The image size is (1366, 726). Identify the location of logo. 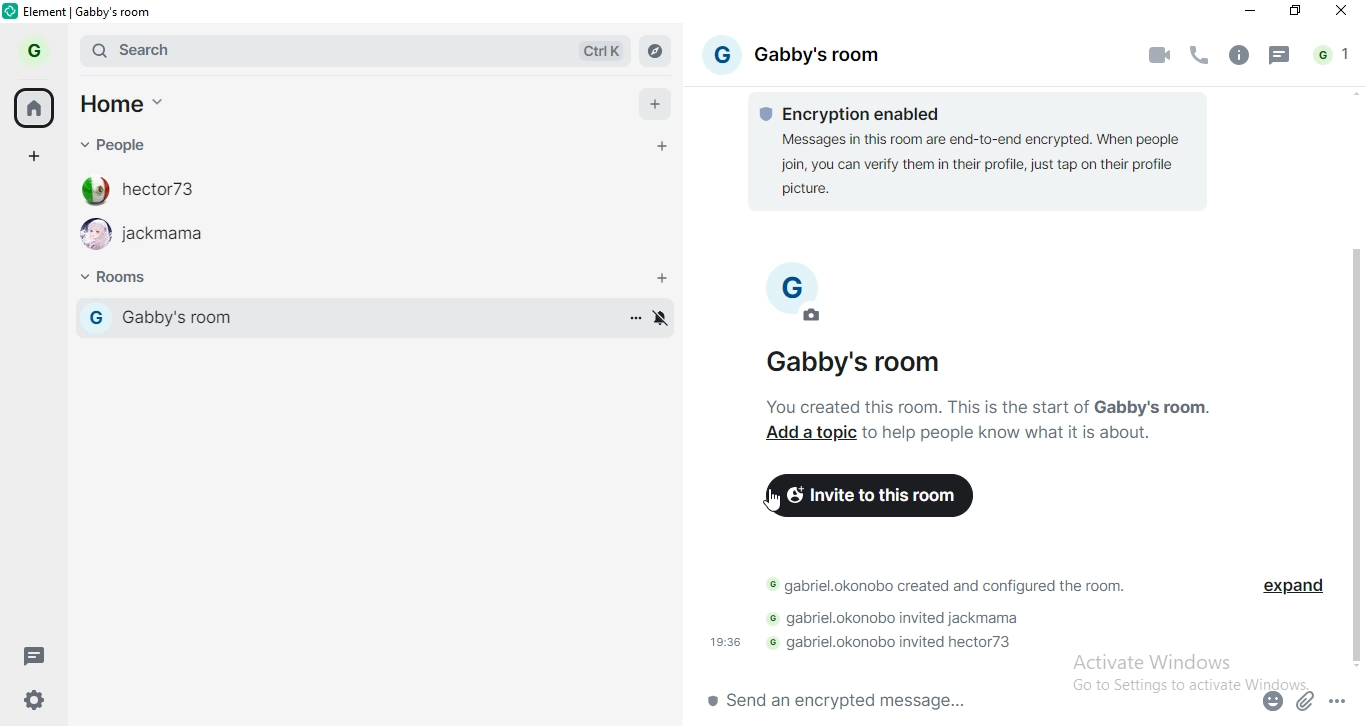
(11, 13).